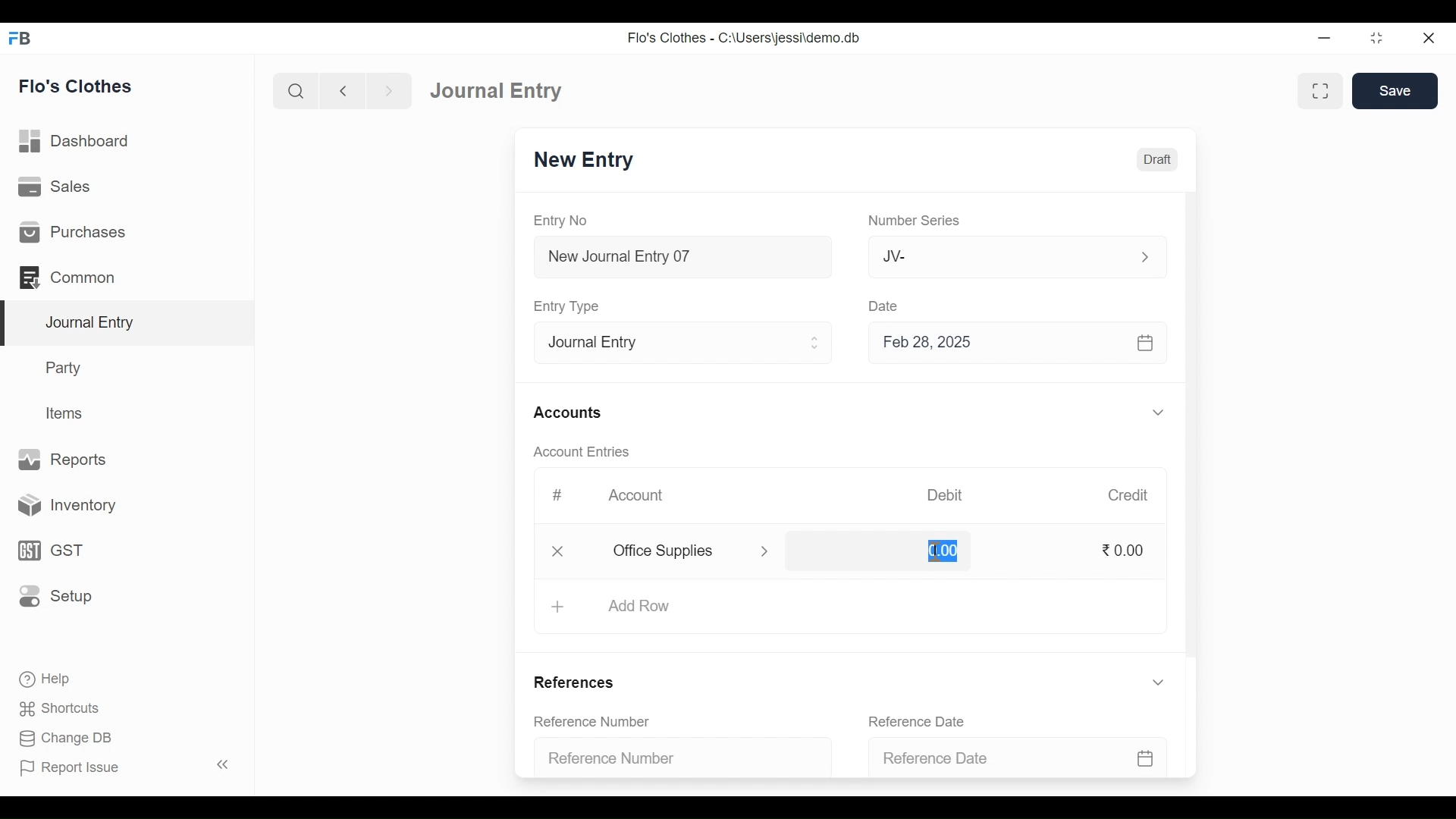 The width and height of the screenshot is (1456, 819). Describe the element at coordinates (389, 91) in the screenshot. I see `Navigate Forward` at that location.